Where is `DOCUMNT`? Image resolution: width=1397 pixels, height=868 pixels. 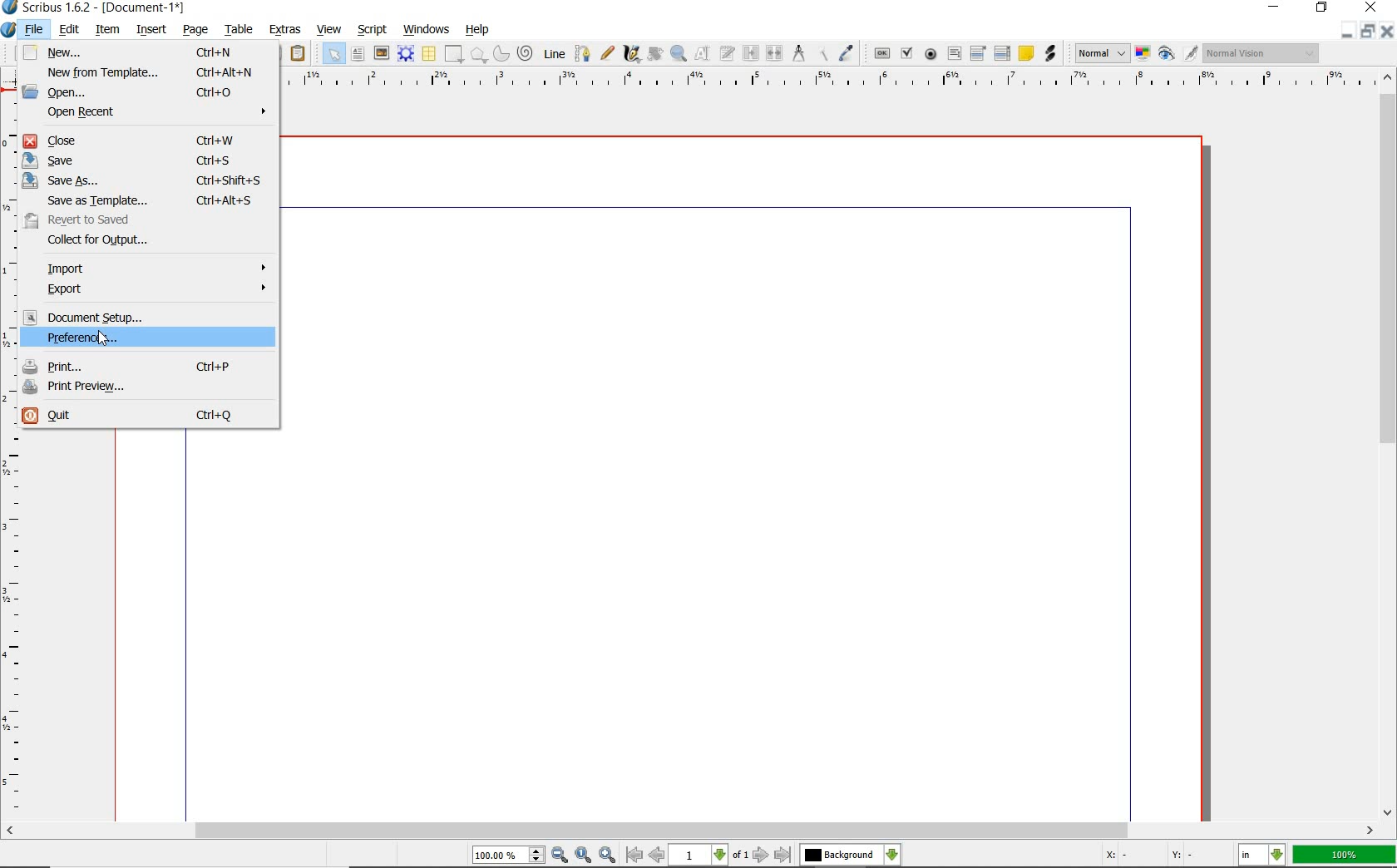
DOCUMNT is located at coordinates (151, 318).